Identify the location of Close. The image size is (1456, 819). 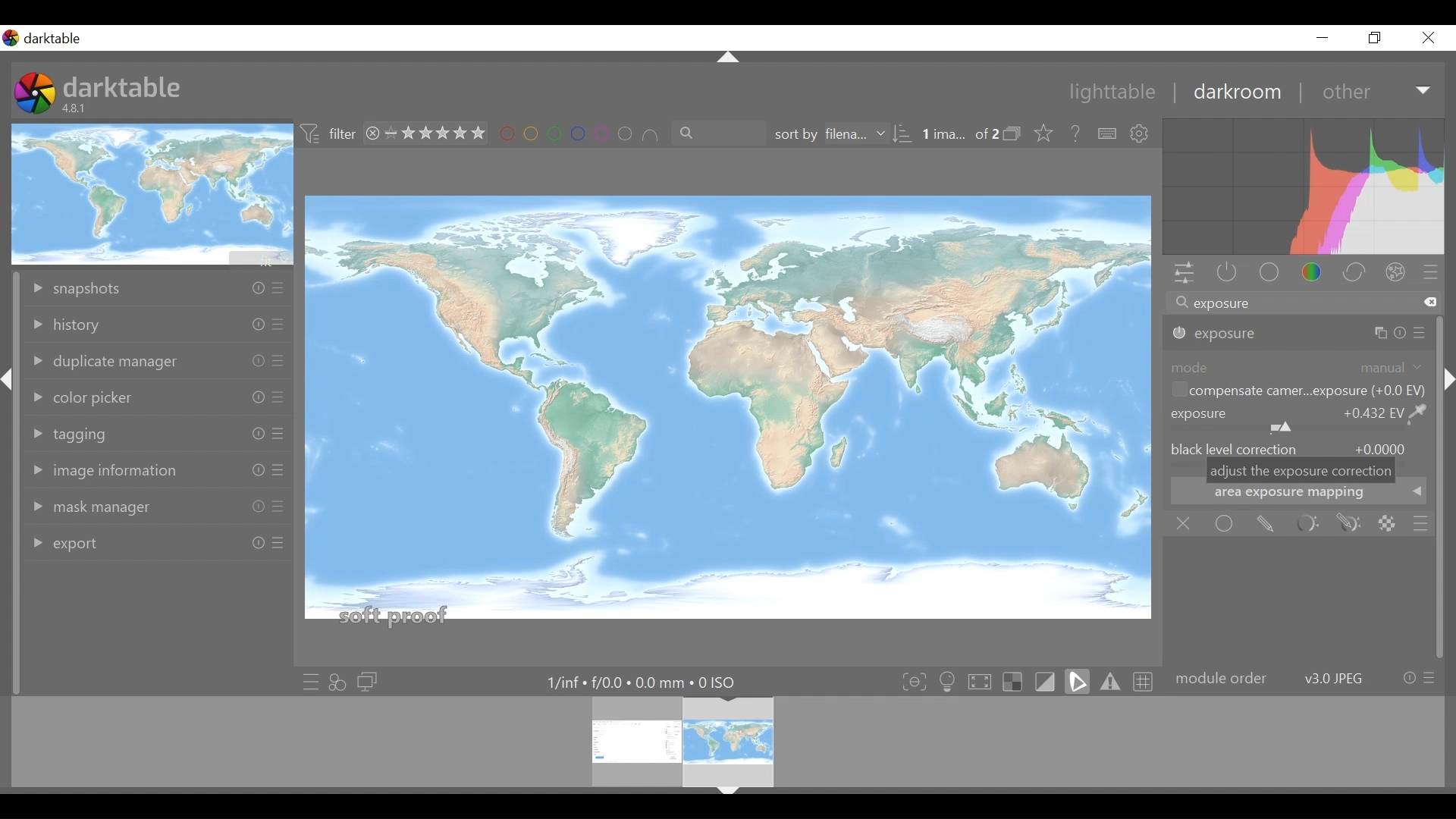
(1429, 37).